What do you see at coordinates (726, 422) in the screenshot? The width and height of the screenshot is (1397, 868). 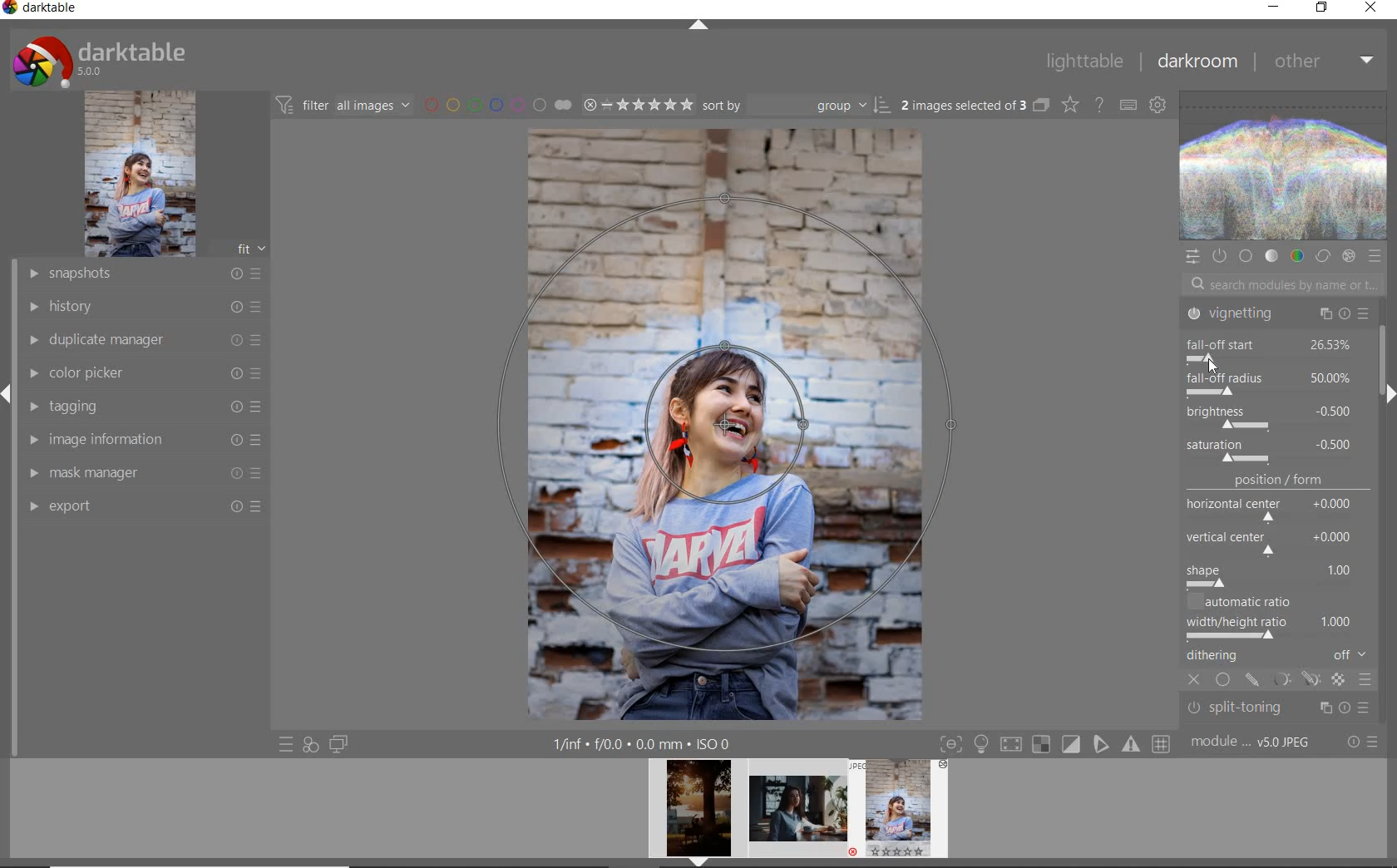 I see `selected image` at bounding box center [726, 422].